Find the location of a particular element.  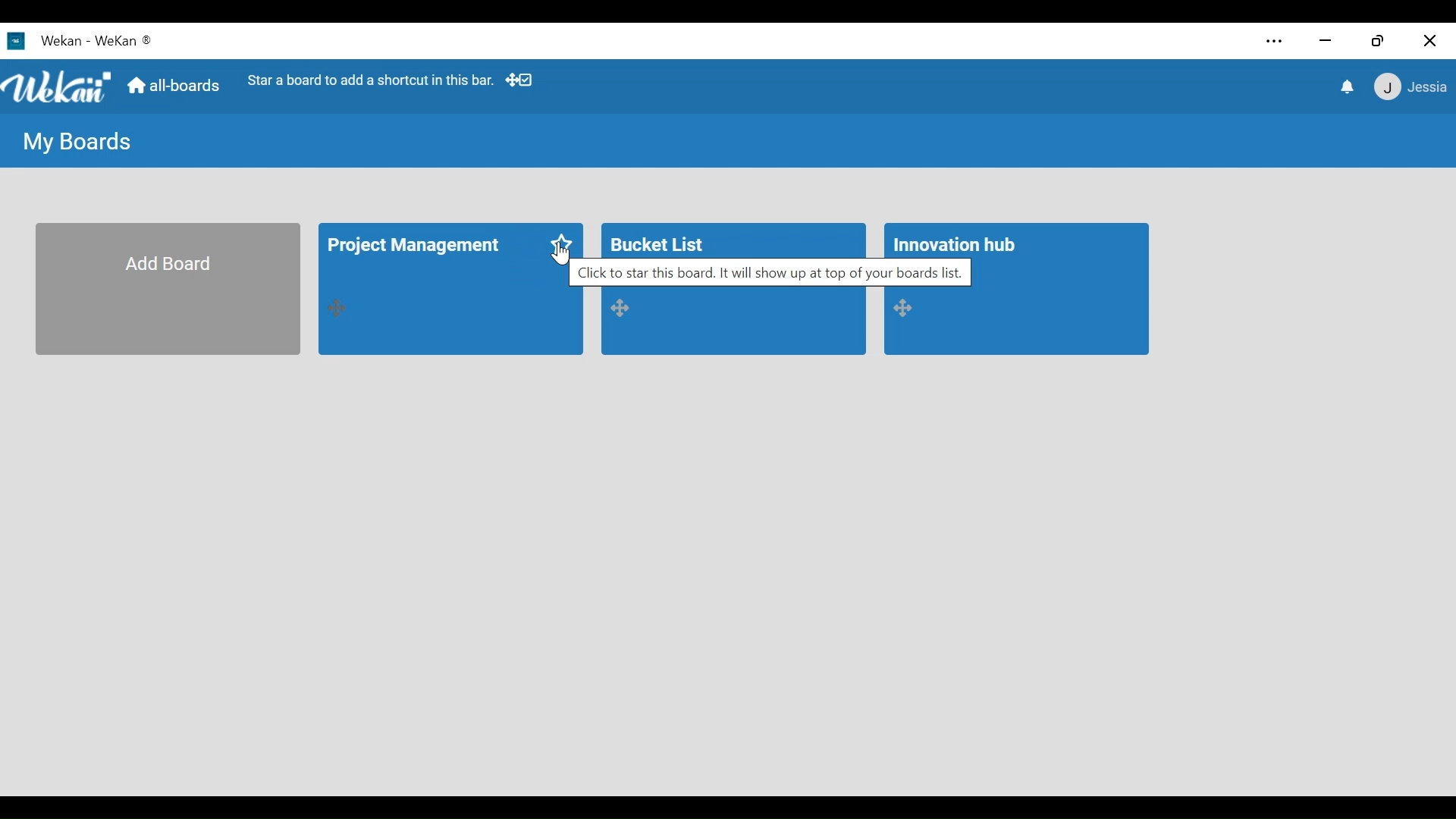

Restore is located at coordinates (1379, 41).